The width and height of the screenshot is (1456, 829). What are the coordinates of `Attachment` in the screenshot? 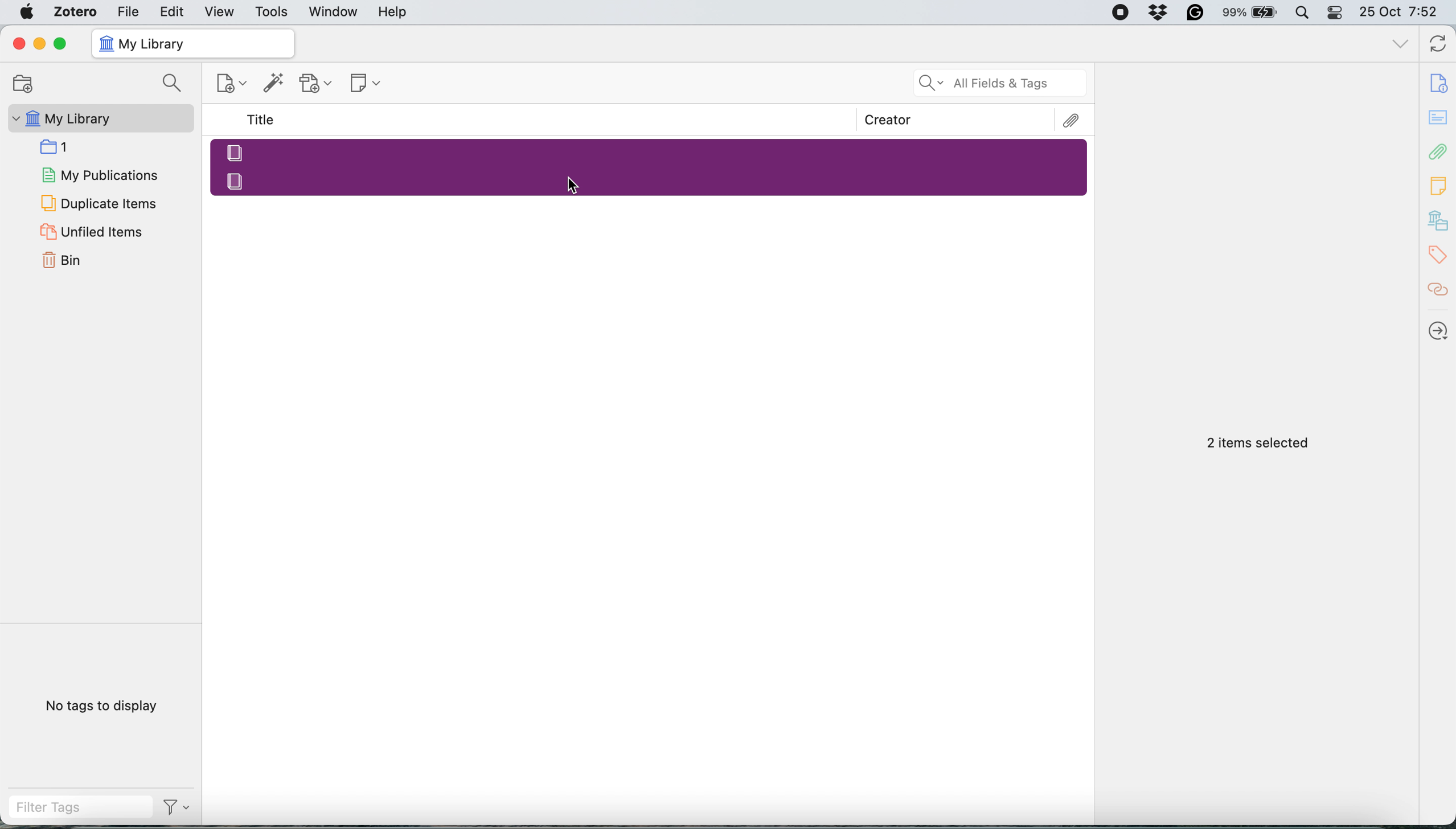 It's located at (1439, 151).